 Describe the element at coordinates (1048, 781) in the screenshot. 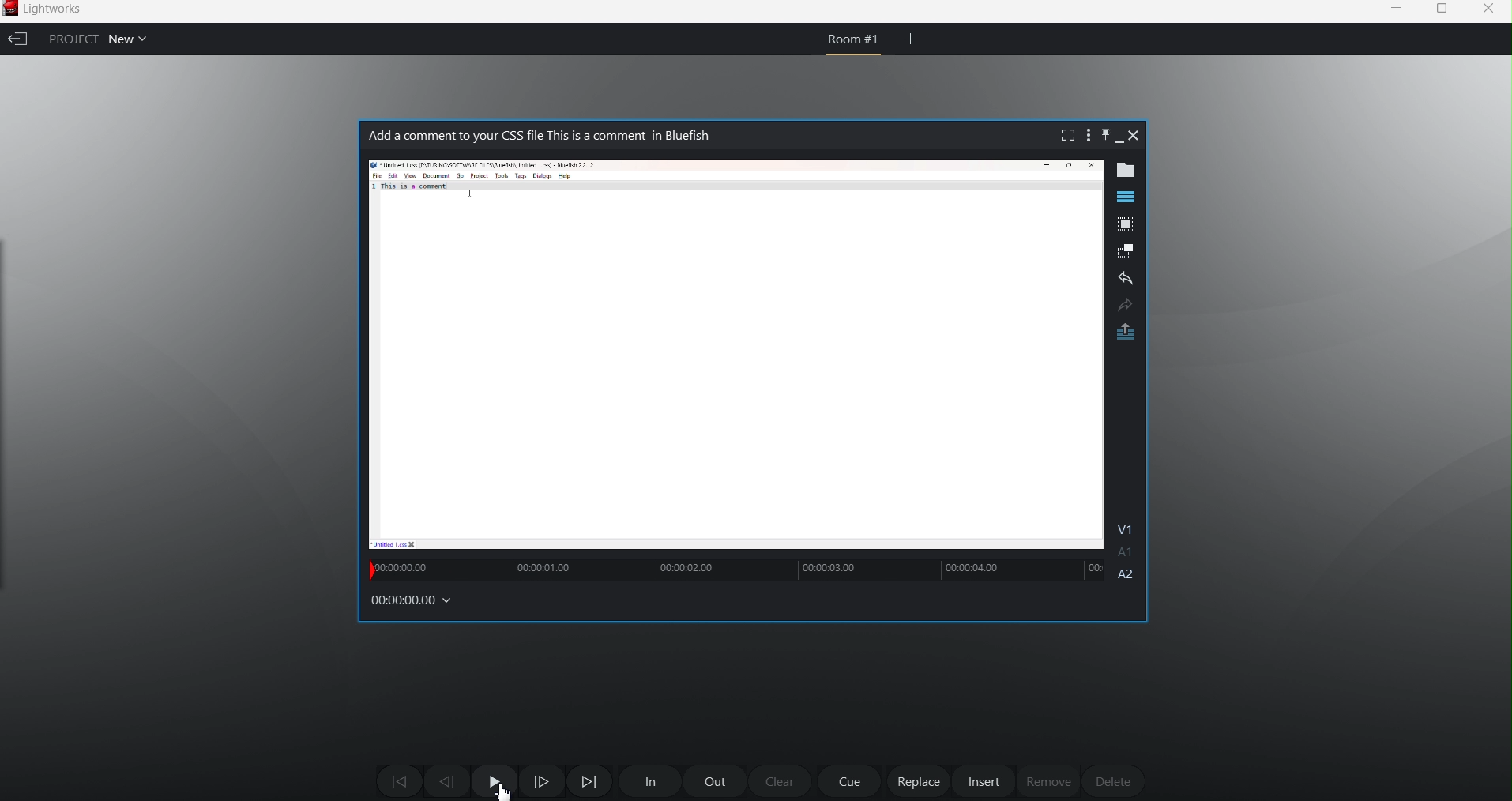

I see `remove` at that location.